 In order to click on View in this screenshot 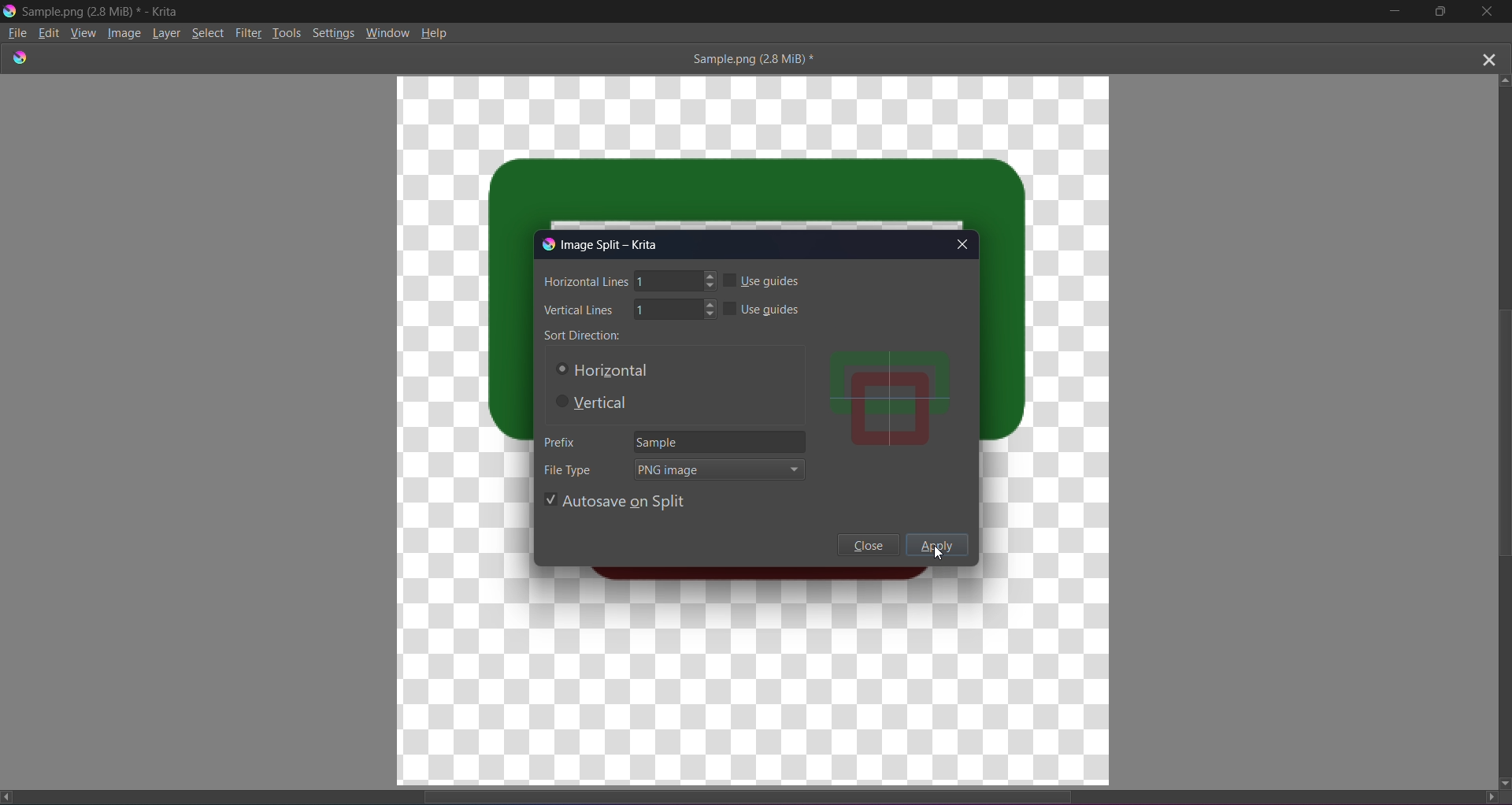, I will do `click(83, 34)`.